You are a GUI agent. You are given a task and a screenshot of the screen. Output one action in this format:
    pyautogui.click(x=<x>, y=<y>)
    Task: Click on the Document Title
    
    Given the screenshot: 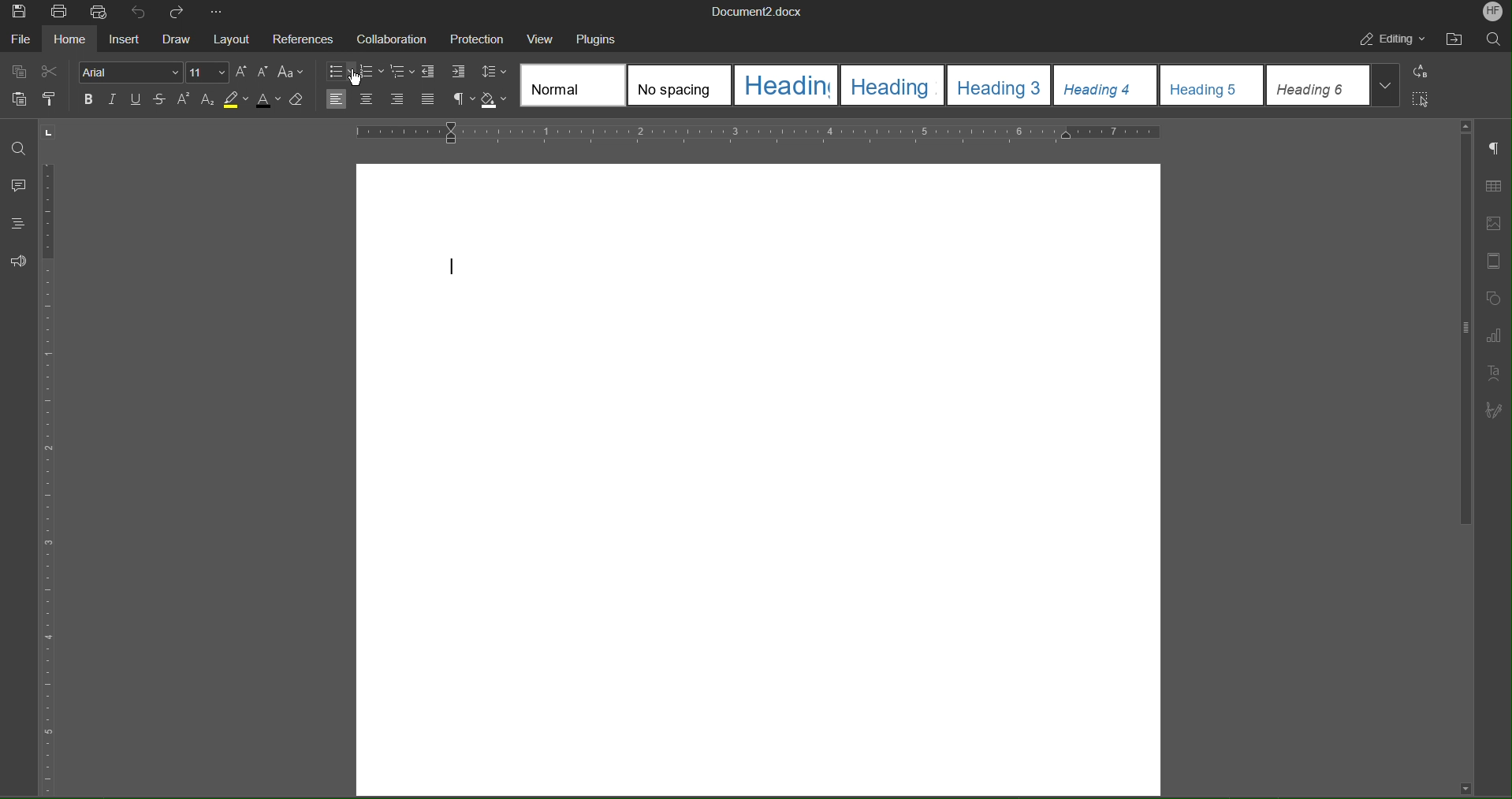 What is the action you would take?
    pyautogui.click(x=759, y=11)
    